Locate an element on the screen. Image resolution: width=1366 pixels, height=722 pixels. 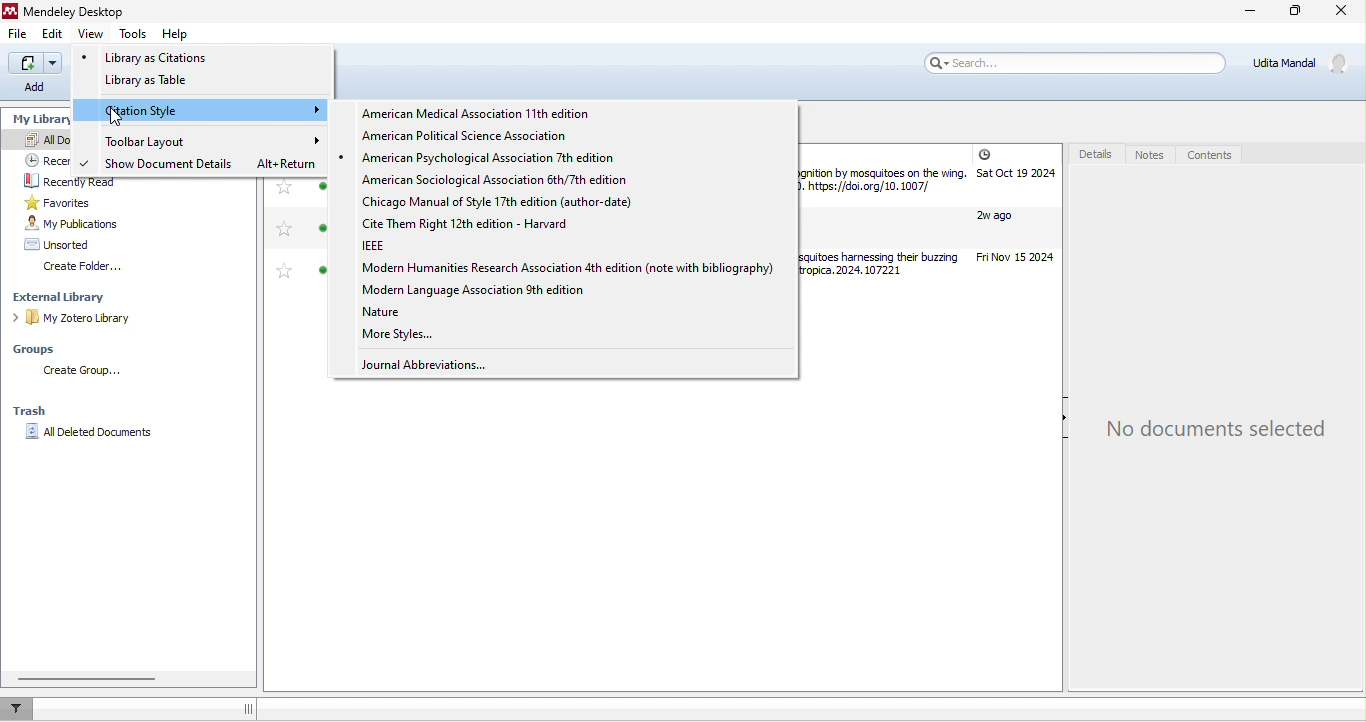
edit is located at coordinates (53, 34).